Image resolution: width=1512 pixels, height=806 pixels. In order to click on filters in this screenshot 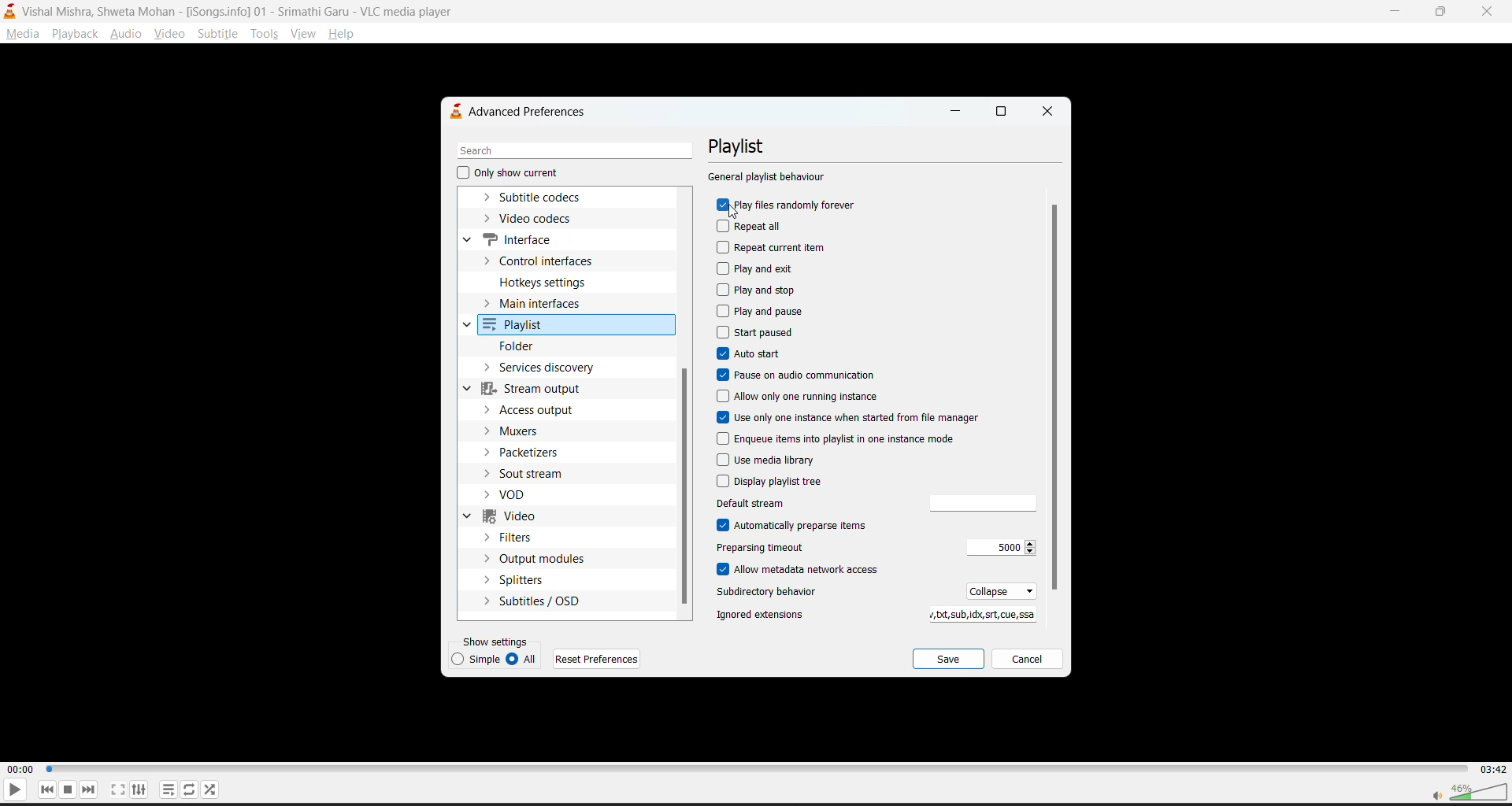, I will do `click(514, 537)`.